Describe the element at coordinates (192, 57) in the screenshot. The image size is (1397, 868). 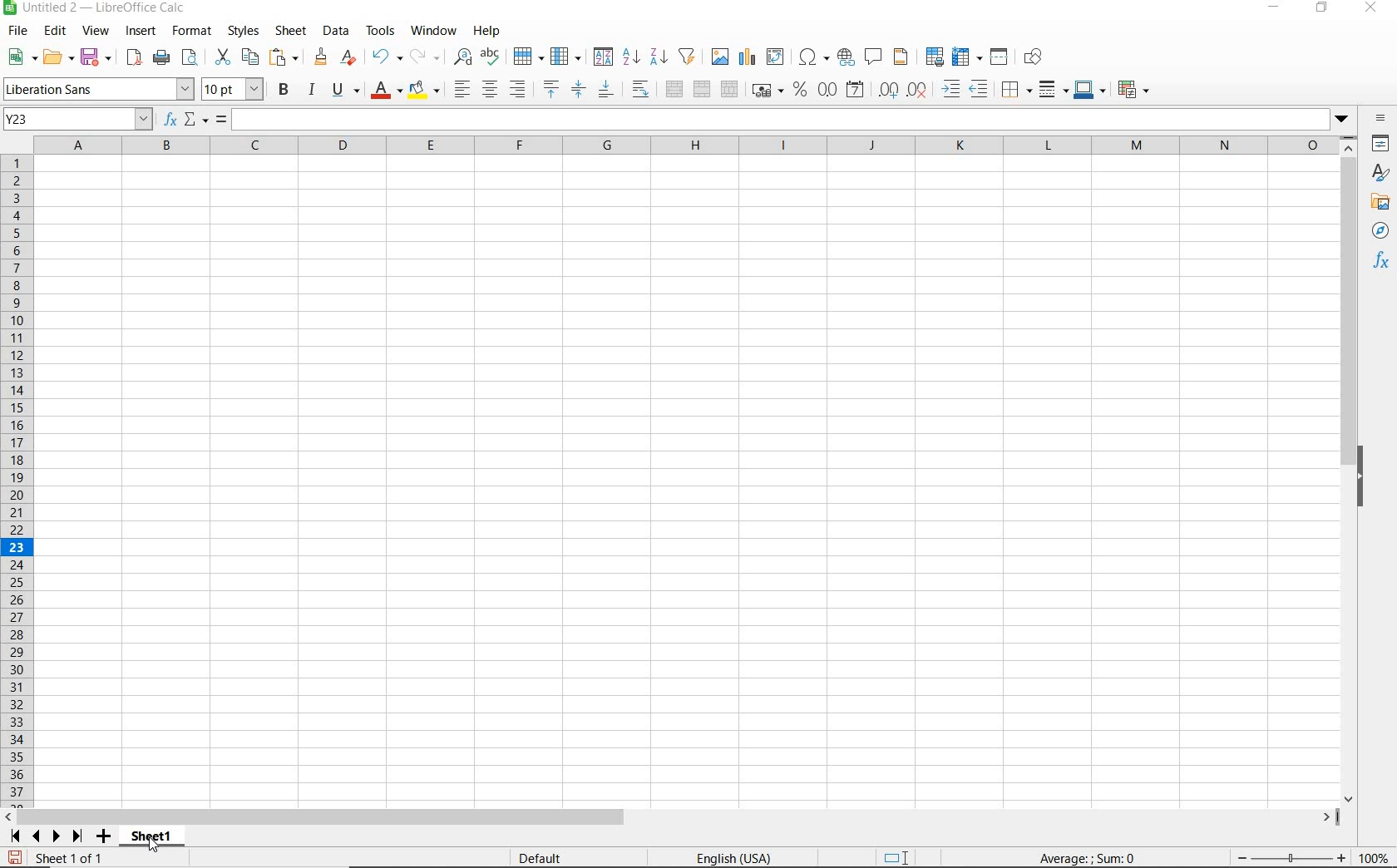
I see `TOGGLE PRINT PREVIEW` at that location.